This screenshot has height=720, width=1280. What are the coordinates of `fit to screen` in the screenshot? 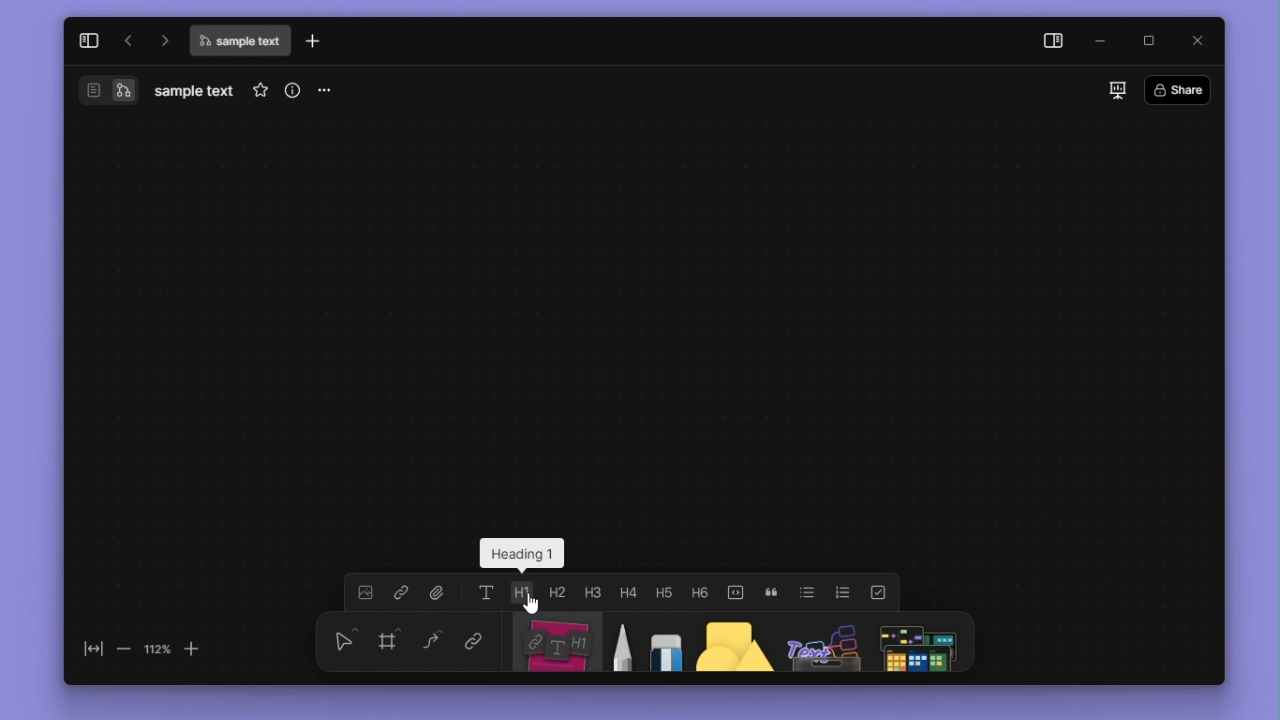 It's located at (94, 649).